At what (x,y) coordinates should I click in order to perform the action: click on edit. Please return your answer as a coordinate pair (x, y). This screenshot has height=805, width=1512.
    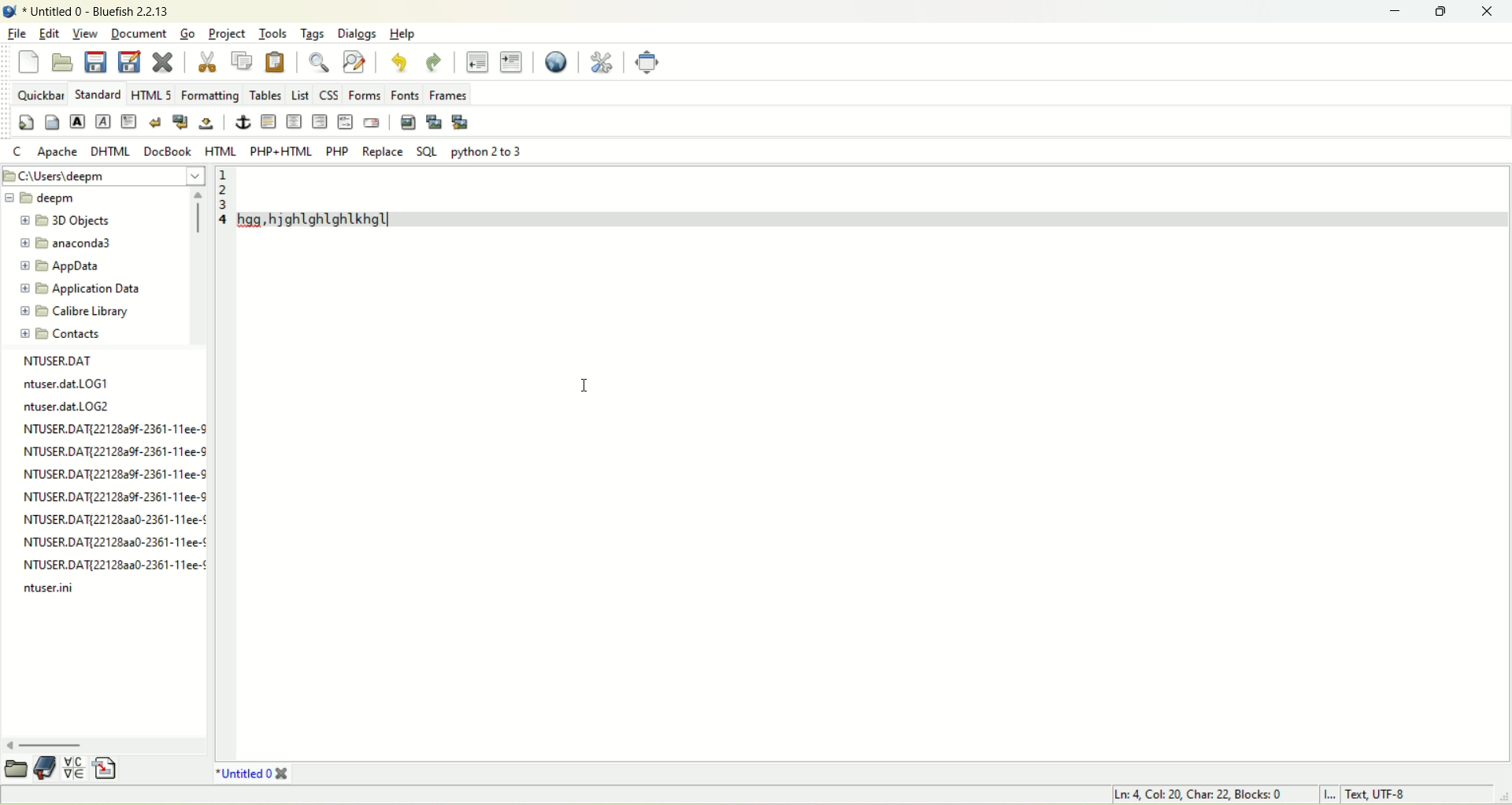
    Looking at the image, I should click on (48, 33).